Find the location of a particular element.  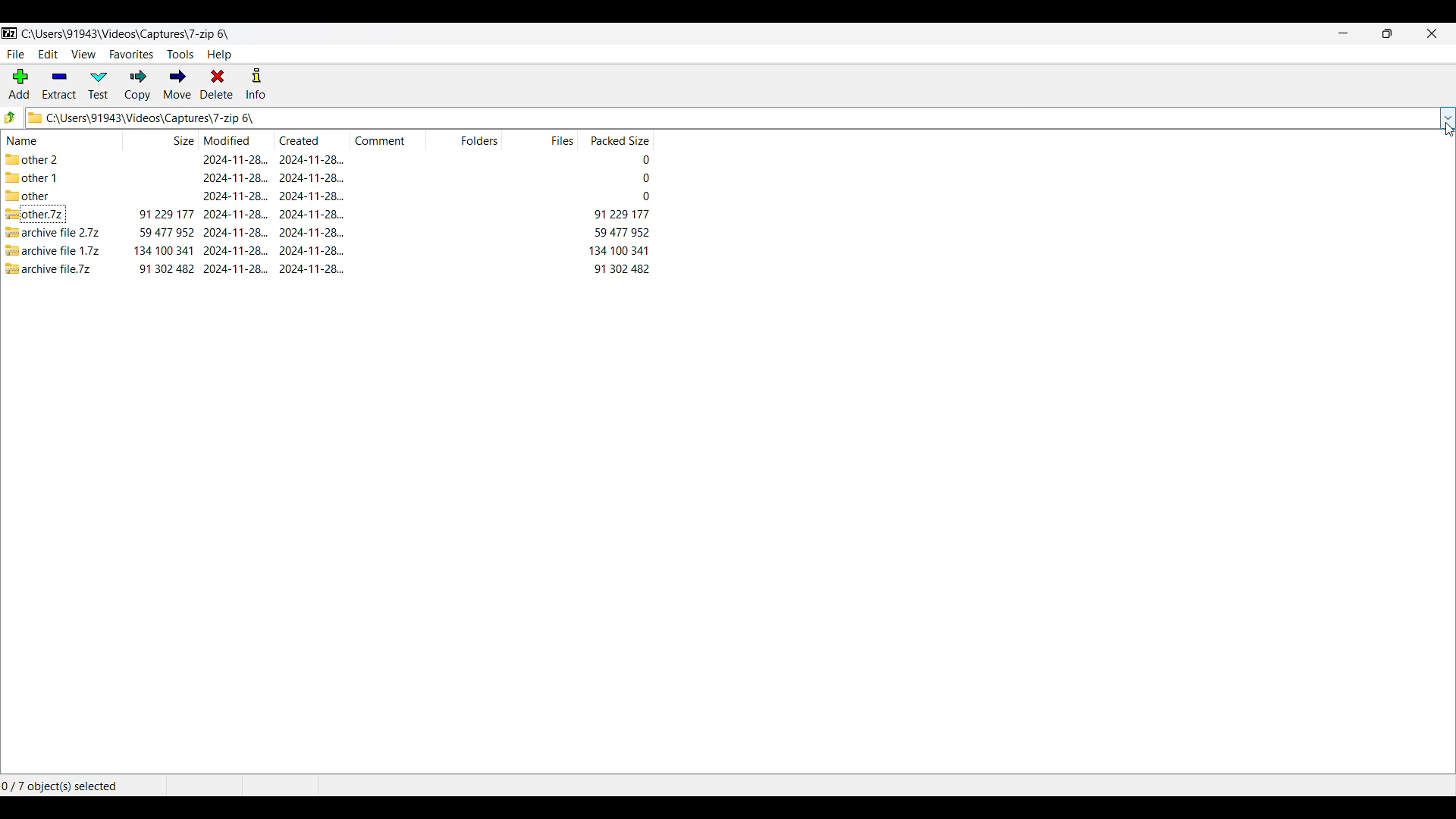

created date & time is located at coordinates (311, 159).